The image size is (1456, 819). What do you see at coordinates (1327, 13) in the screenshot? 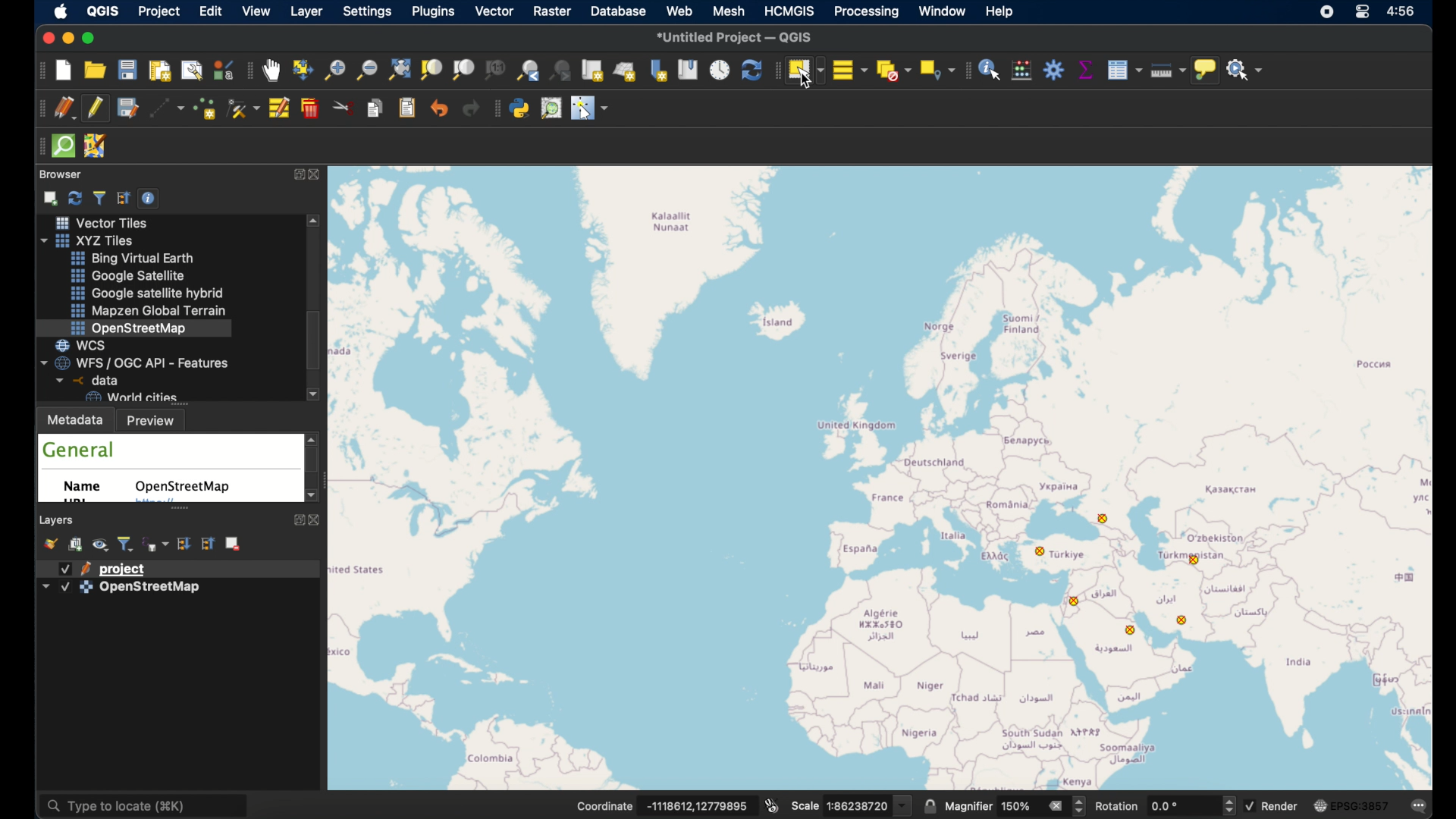
I see `screen recorder icon` at bounding box center [1327, 13].